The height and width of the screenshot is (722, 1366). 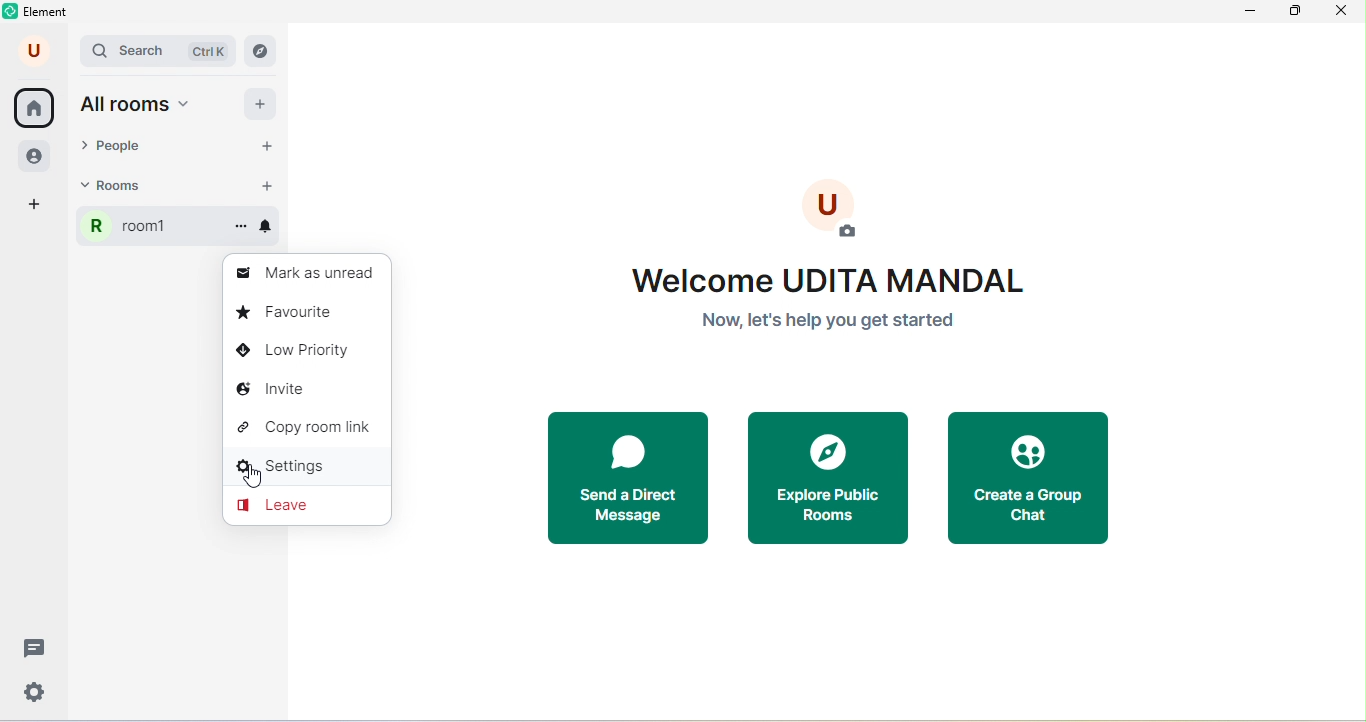 What do you see at coordinates (139, 106) in the screenshot?
I see `all rooms` at bounding box center [139, 106].